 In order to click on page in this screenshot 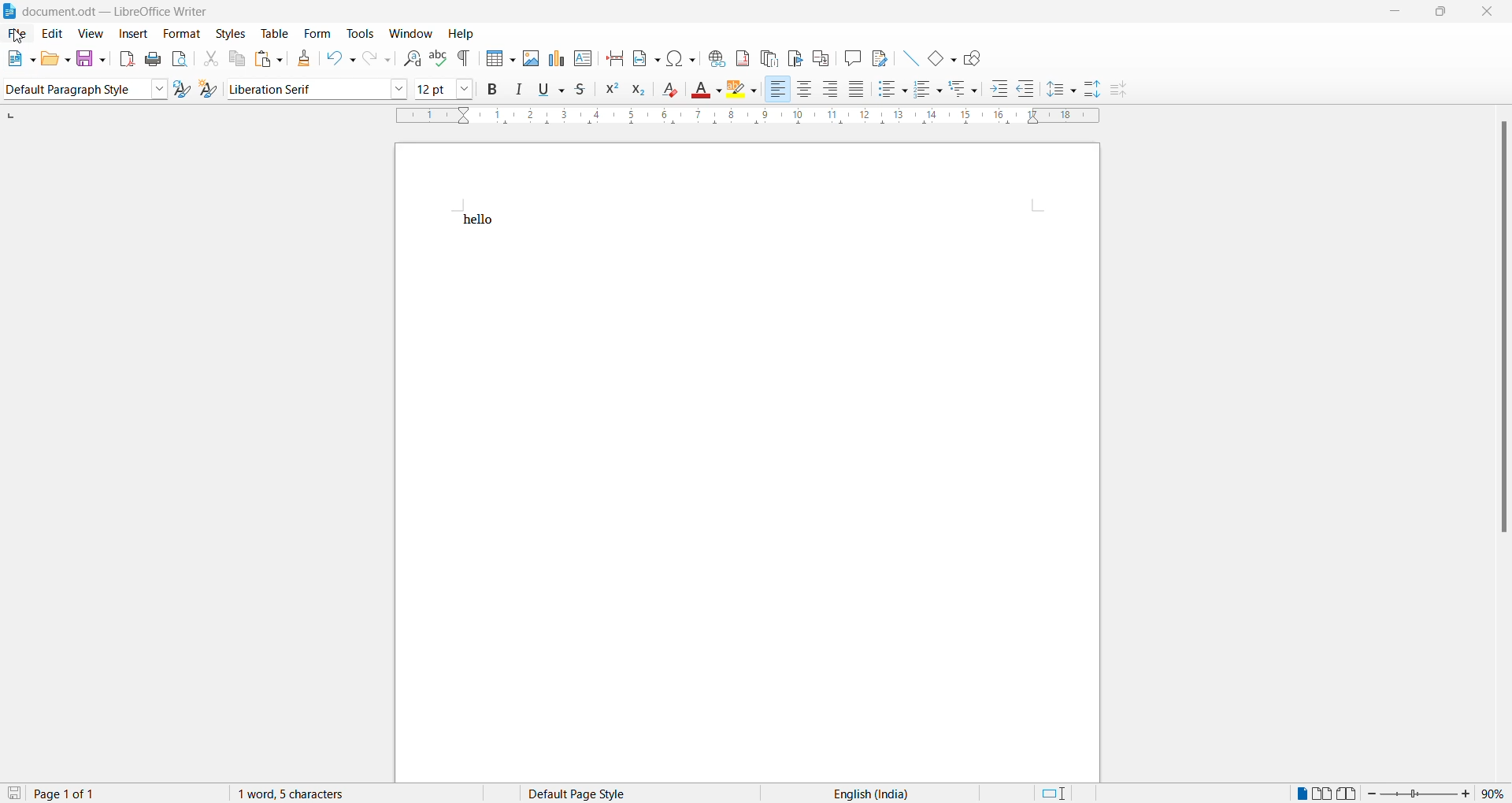, I will do `click(747, 175)`.